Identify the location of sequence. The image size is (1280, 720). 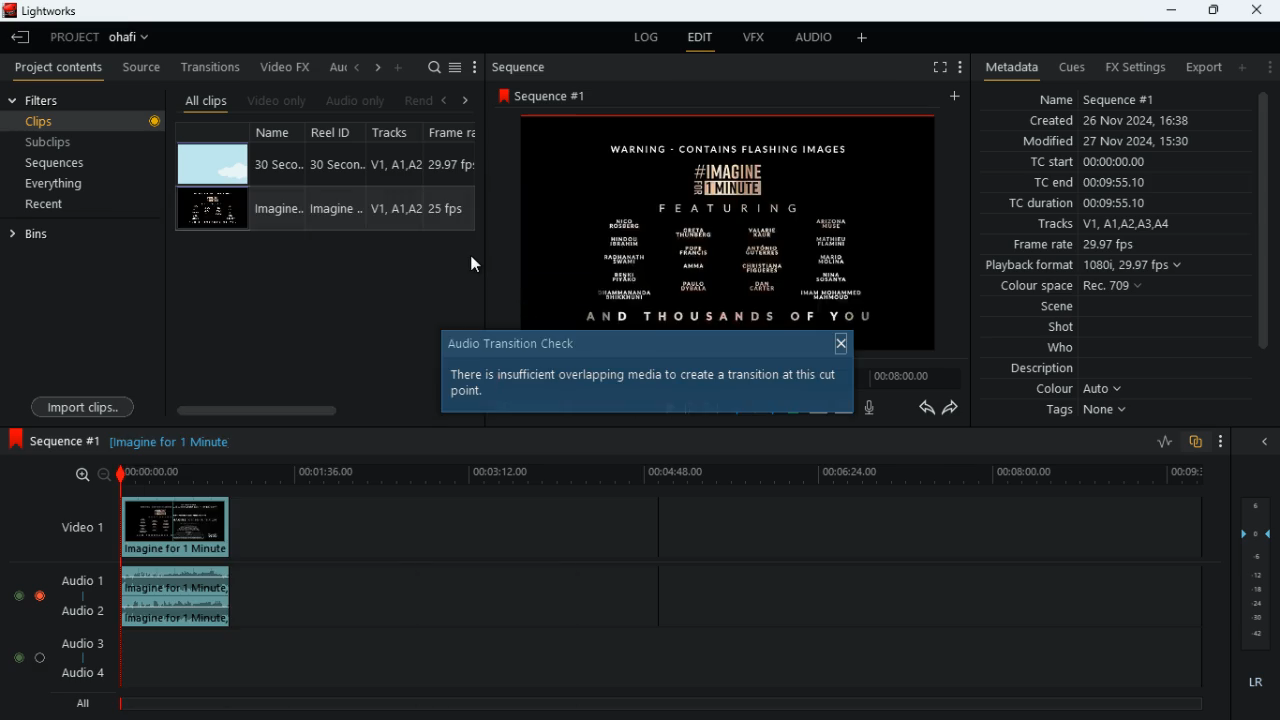
(558, 95).